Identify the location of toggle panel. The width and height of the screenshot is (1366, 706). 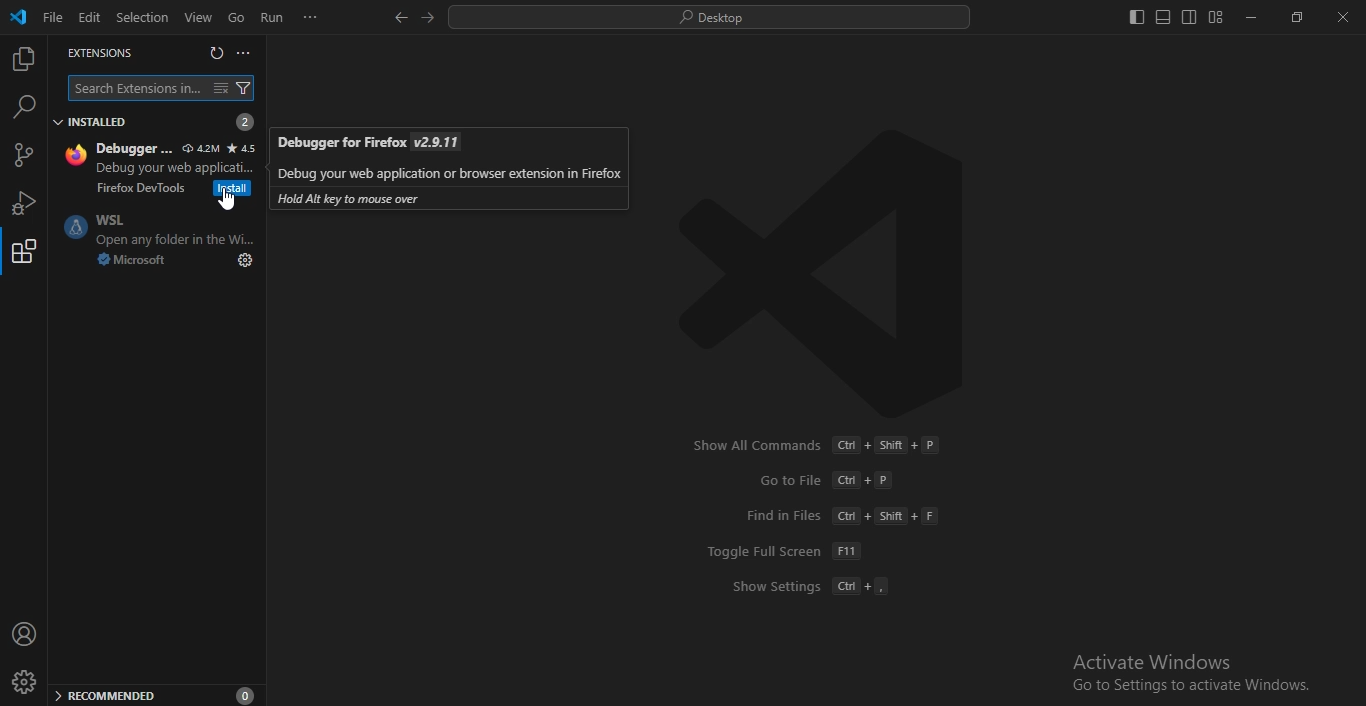
(1162, 18).